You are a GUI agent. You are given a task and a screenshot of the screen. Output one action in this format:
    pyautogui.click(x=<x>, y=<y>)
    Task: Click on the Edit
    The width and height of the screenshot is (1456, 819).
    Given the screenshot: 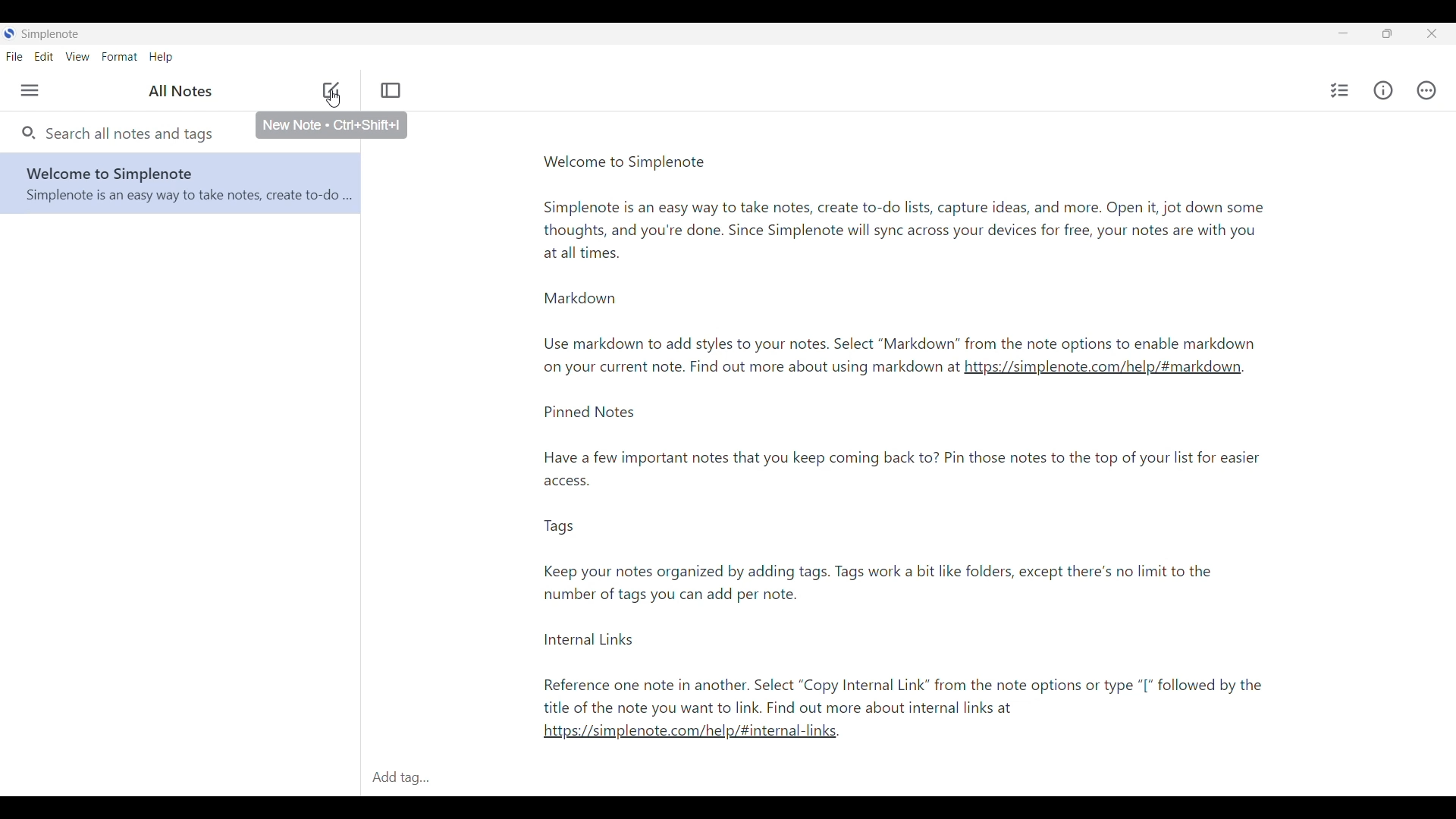 What is the action you would take?
    pyautogui.click(x=43, y=56)
    